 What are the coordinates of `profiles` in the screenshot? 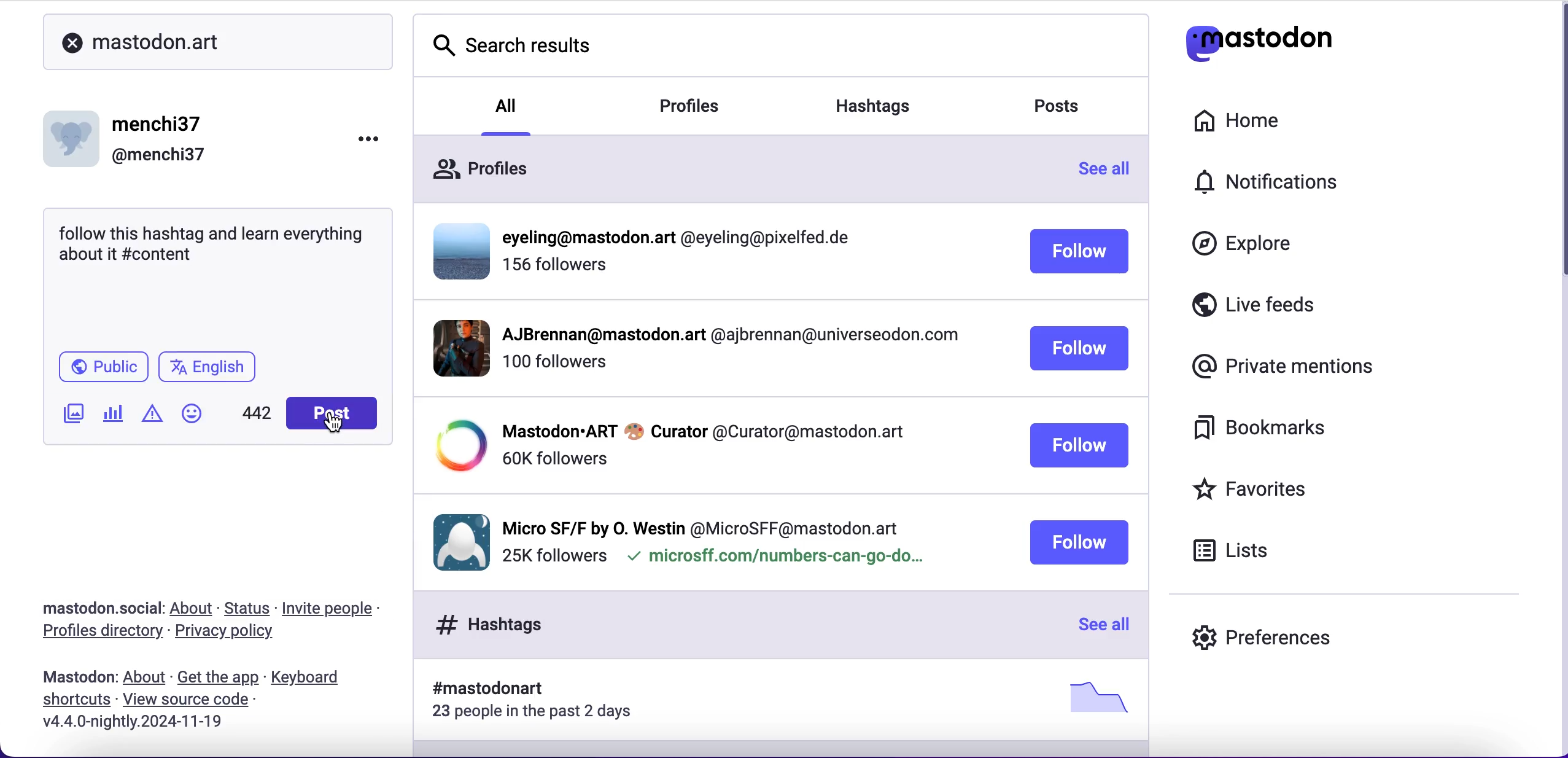 It's located at (479, 162).